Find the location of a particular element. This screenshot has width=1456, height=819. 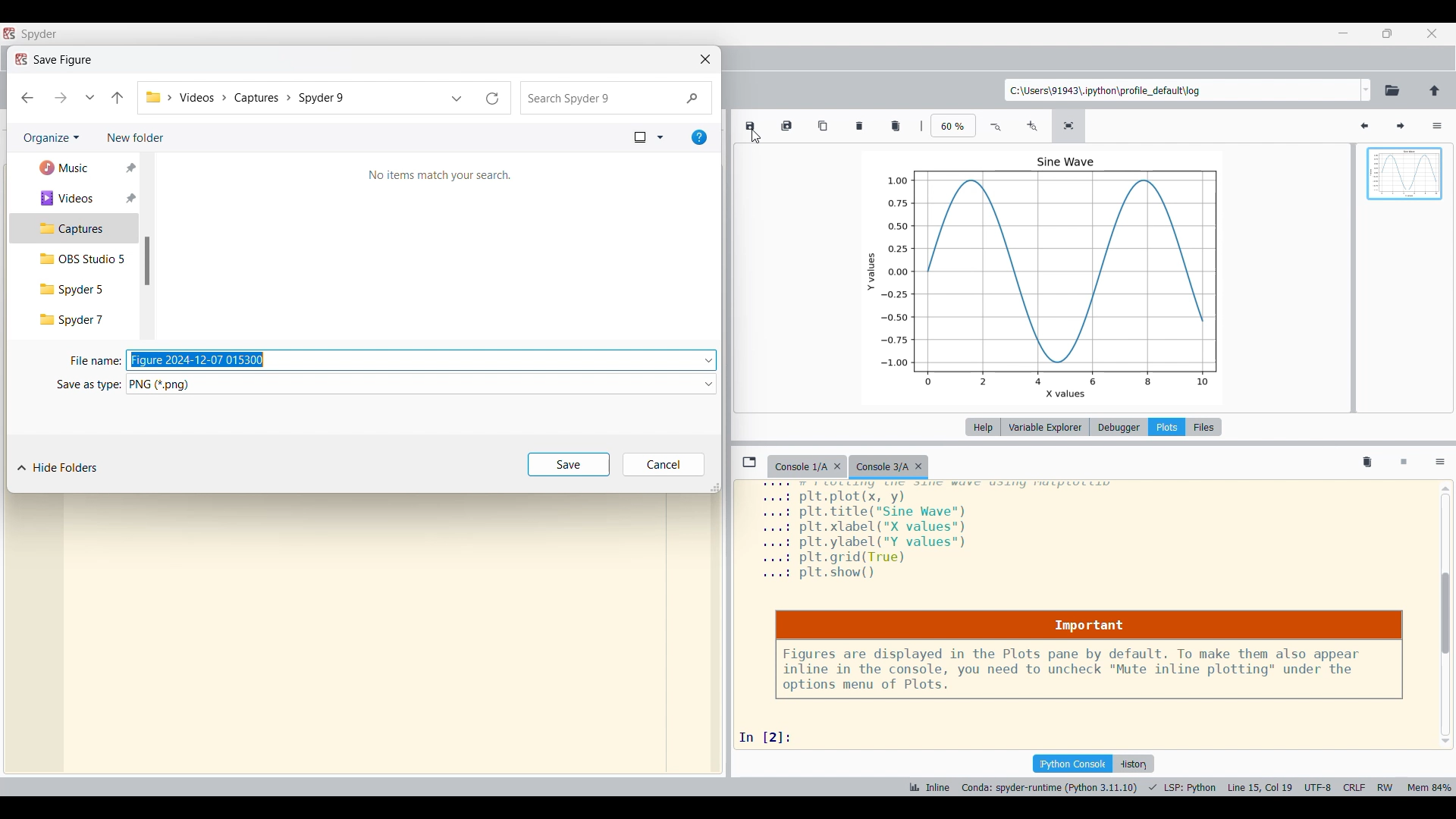

Change view options is located at coordinates (648, 138).